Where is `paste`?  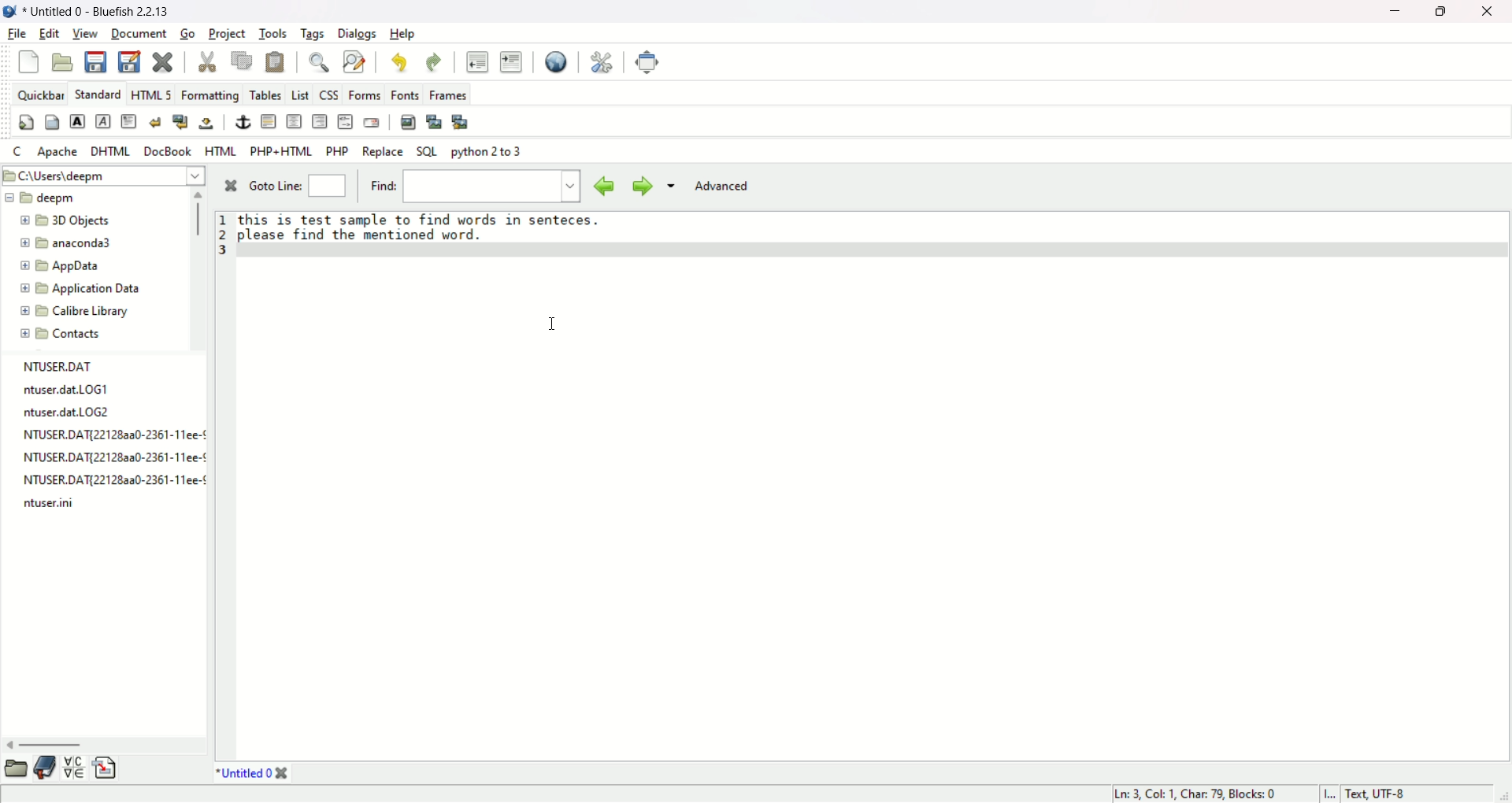 paste is located at coordinates (275, 61).